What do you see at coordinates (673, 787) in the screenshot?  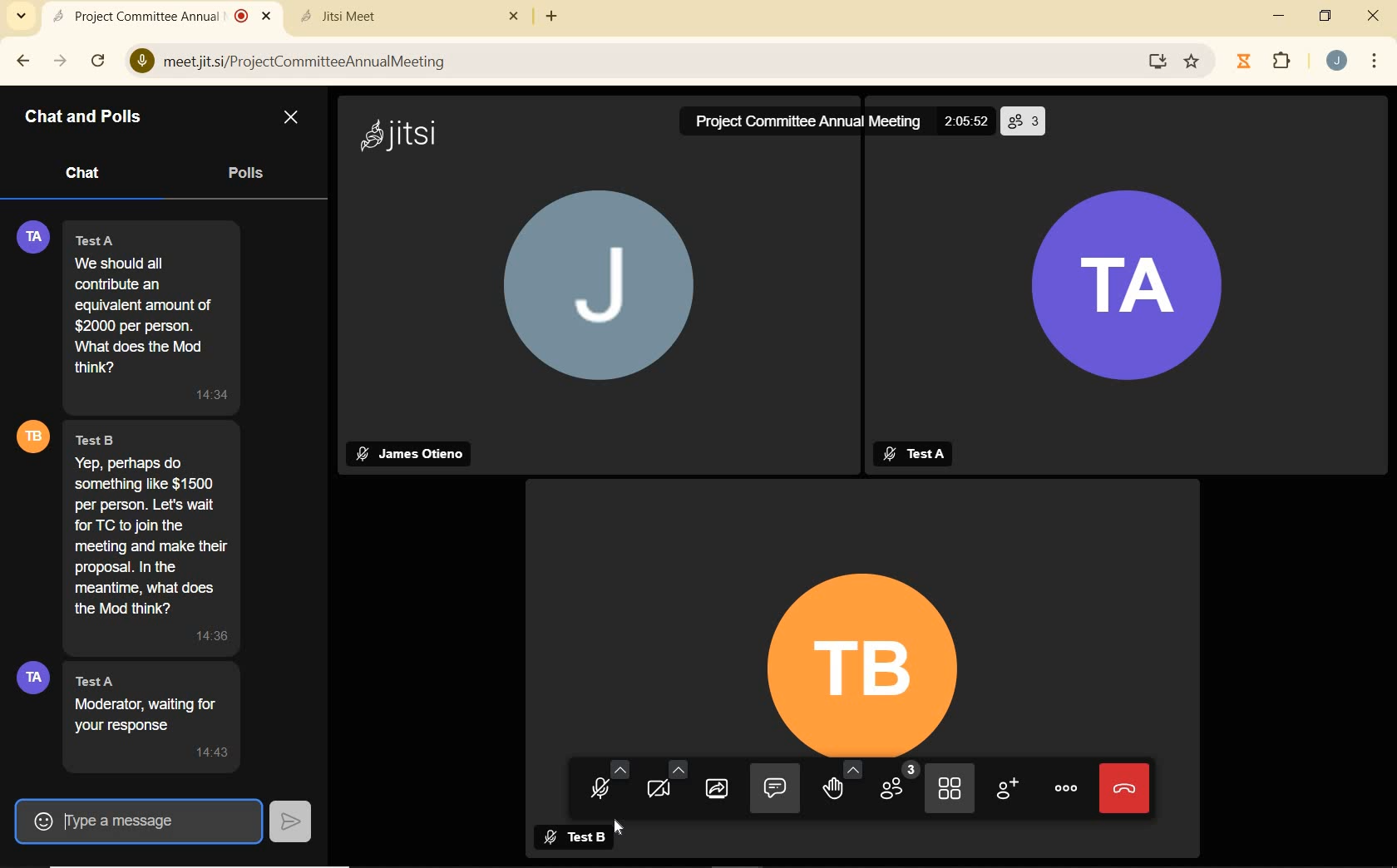 I see `camera` at bounding box center [673, 787].